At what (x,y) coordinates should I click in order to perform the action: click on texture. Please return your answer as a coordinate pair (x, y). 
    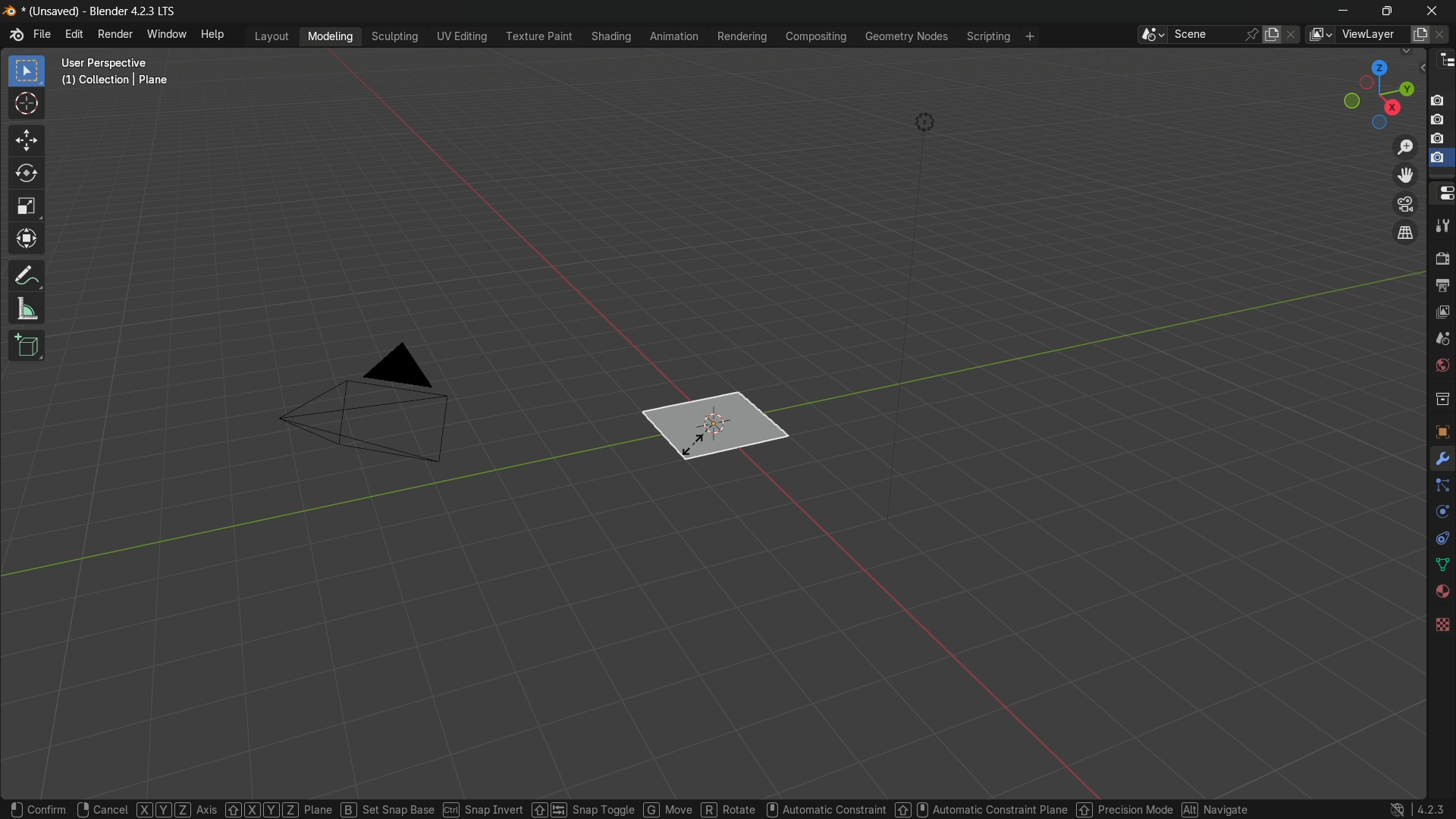
    Looking at the image, I should click on (1441, 623).